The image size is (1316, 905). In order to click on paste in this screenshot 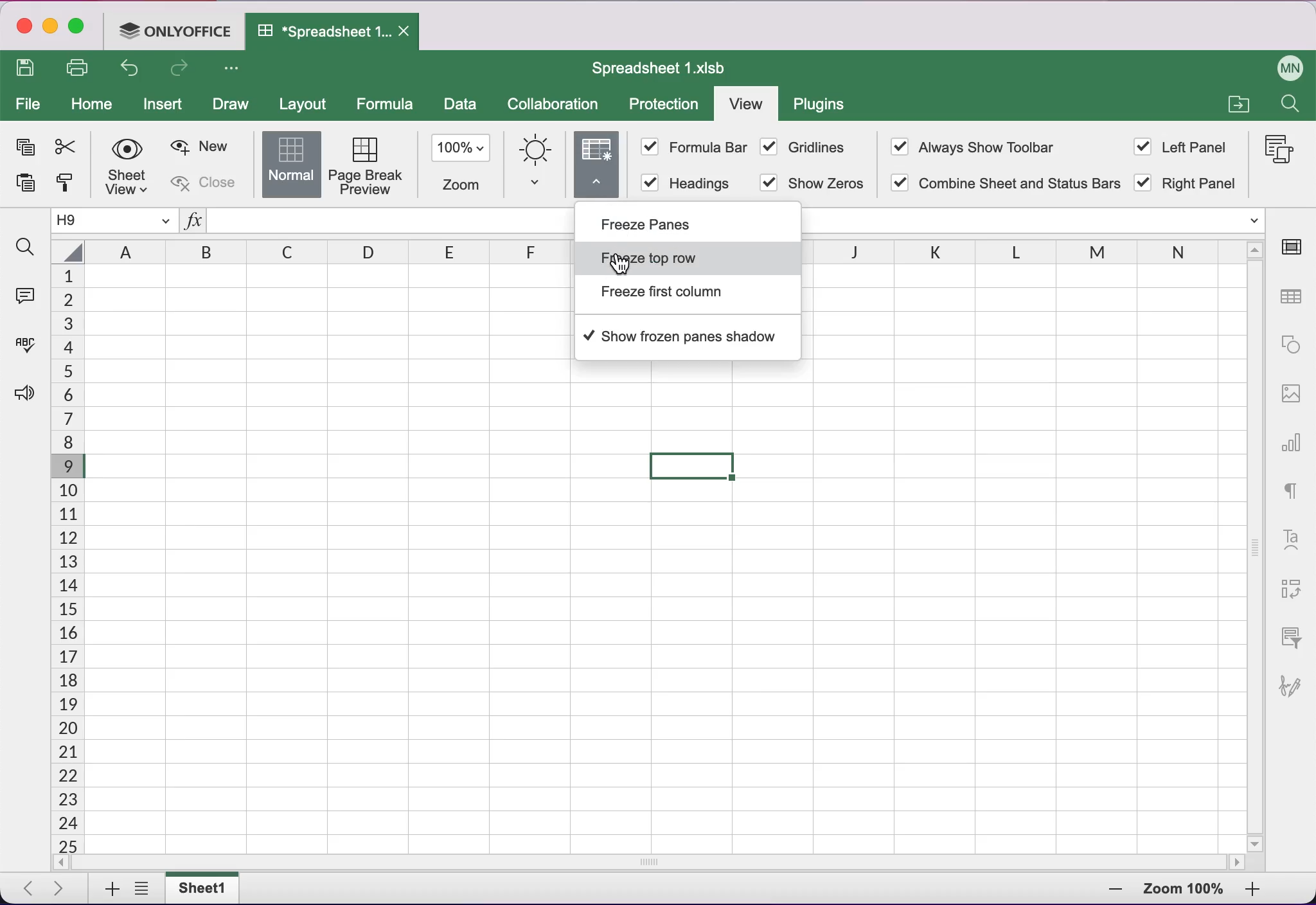, I will do `click(28, 183)`.